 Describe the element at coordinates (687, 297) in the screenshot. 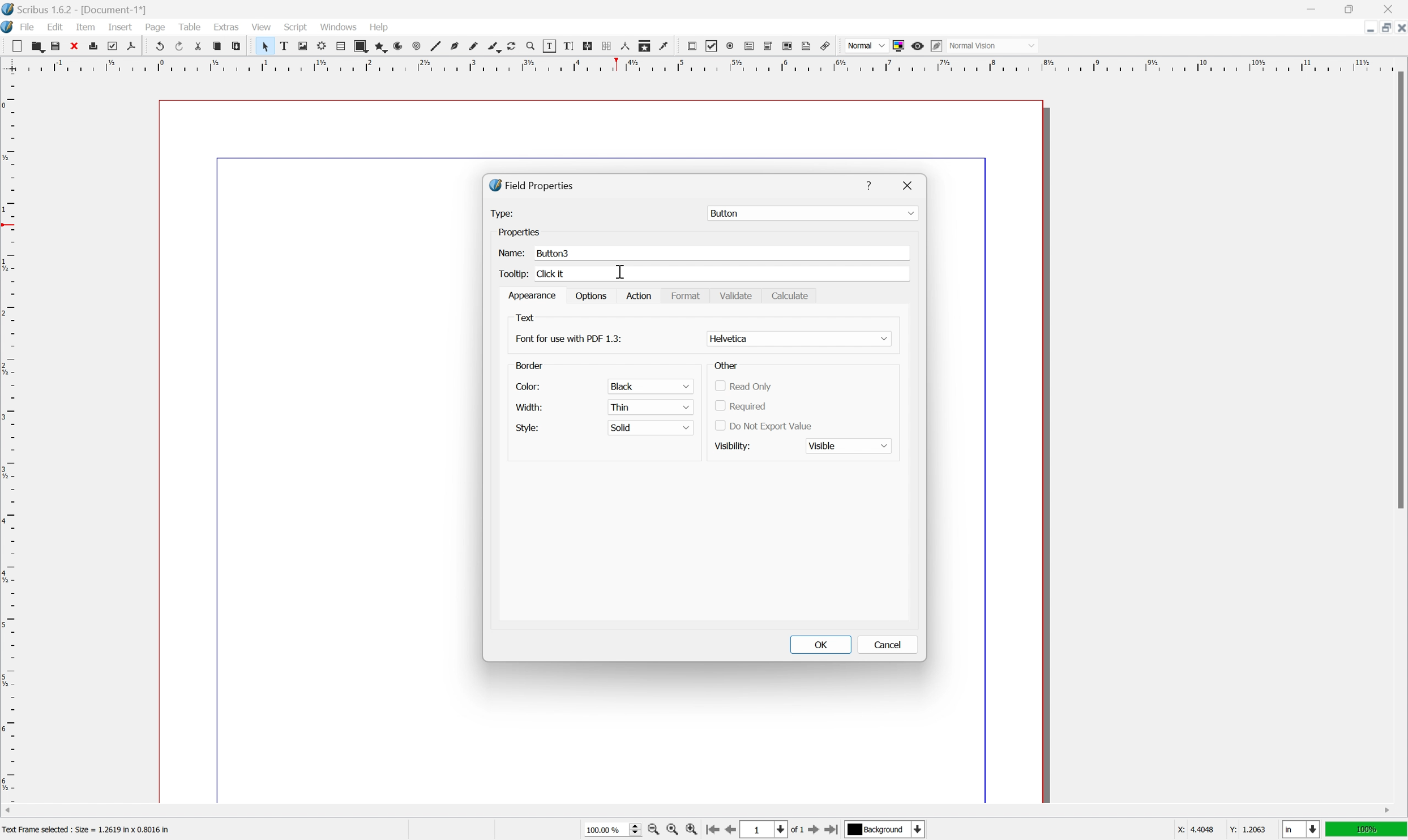

I see `Format` at that location.